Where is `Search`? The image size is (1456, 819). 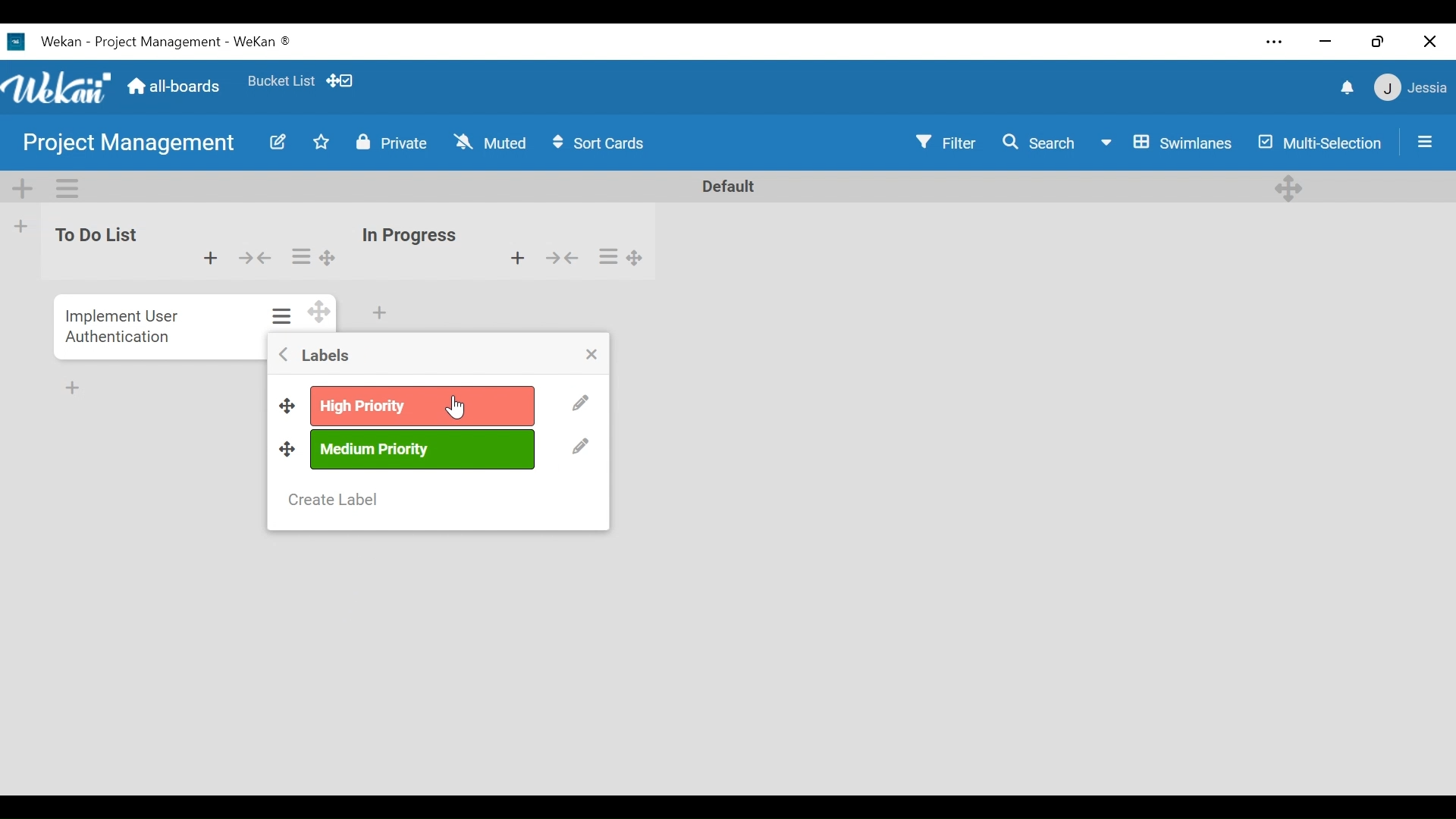 Search is located at coordinates (1043, 142).